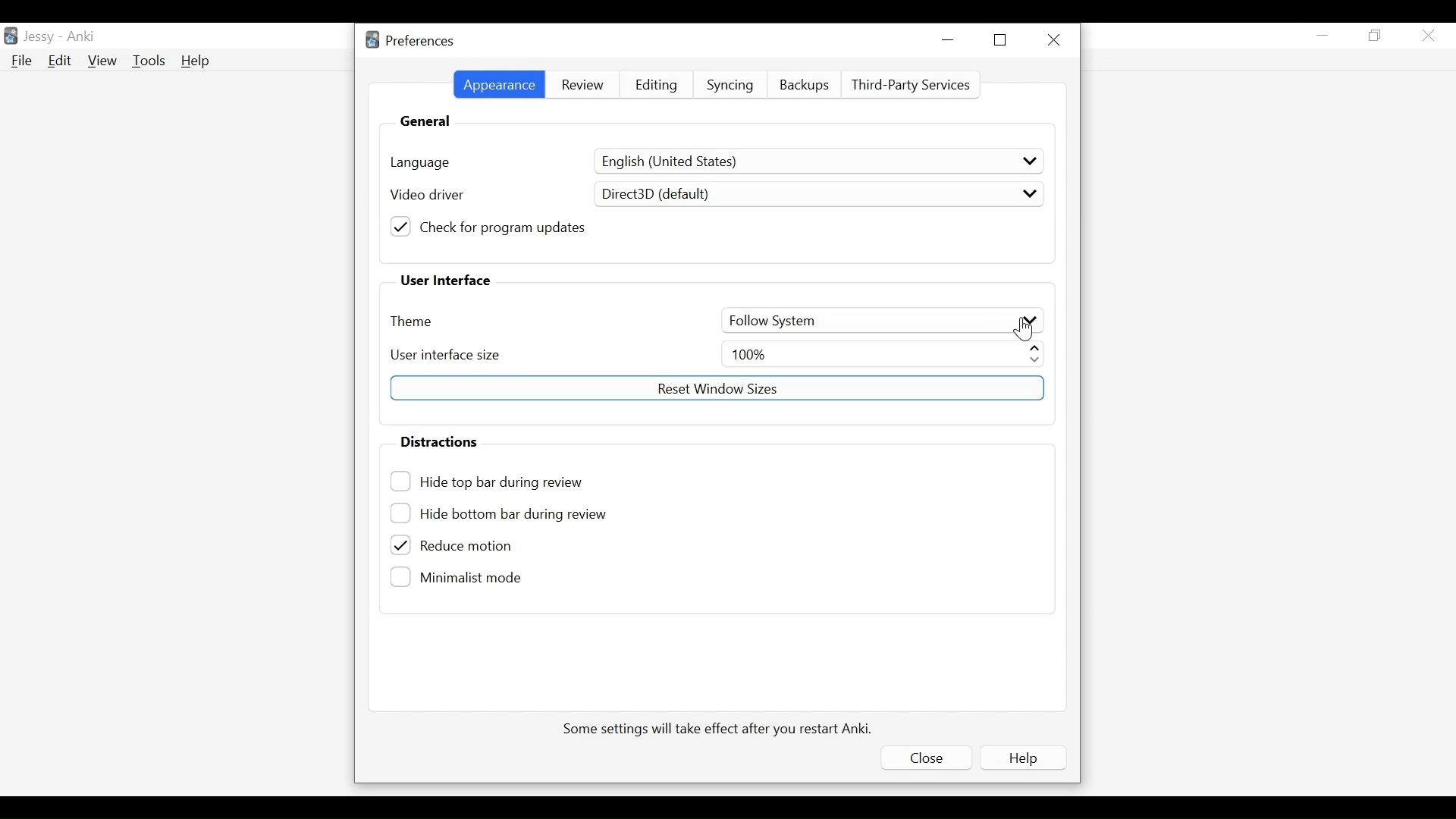 The image size is (1456, 819). Describe the element at coordinates (921, 760) in the screenshot. I see `Close` at that location.